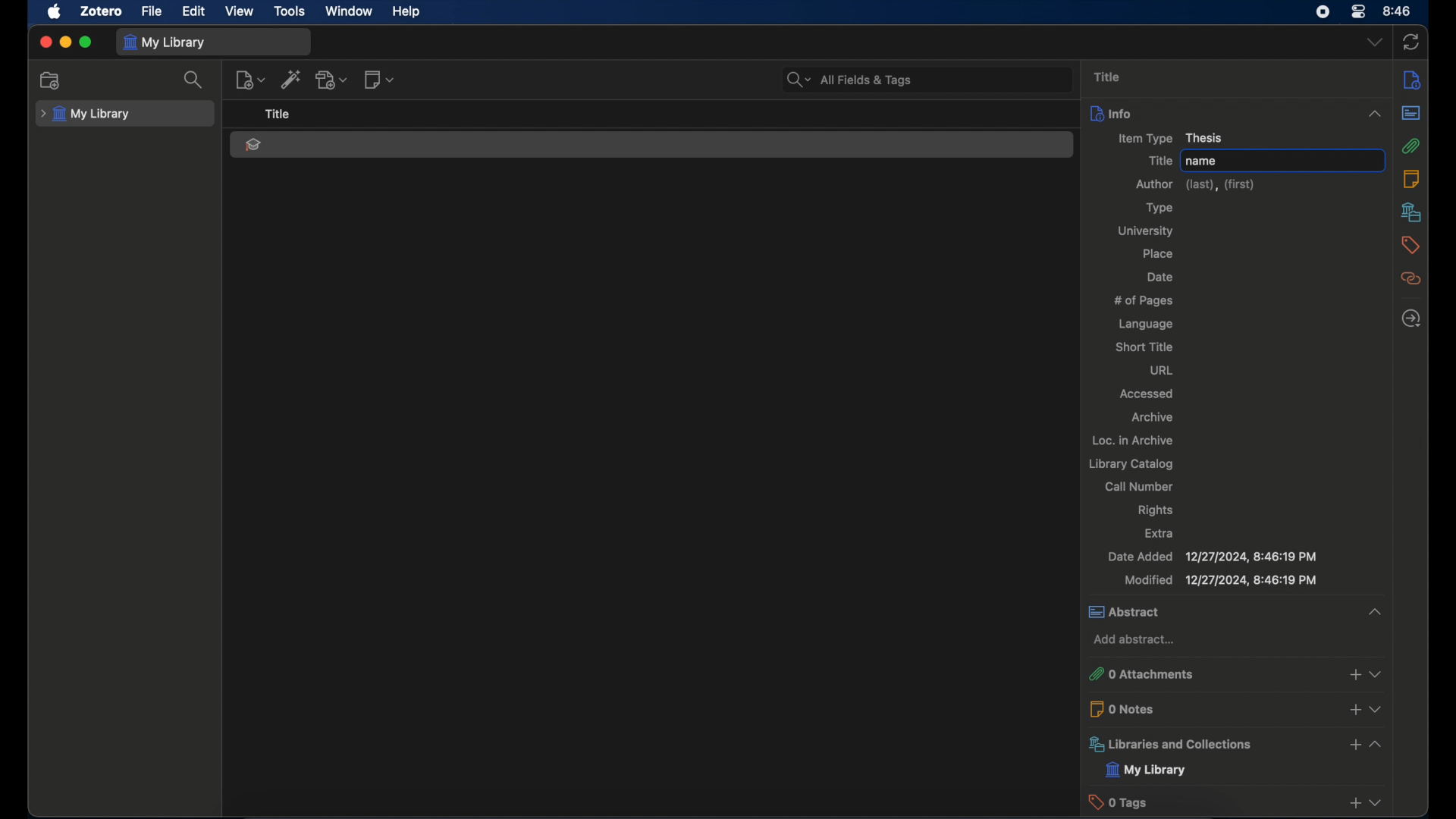  Describe the element at coordinates (1143, 300) in the screenshot. I see `no of pages` at that location.